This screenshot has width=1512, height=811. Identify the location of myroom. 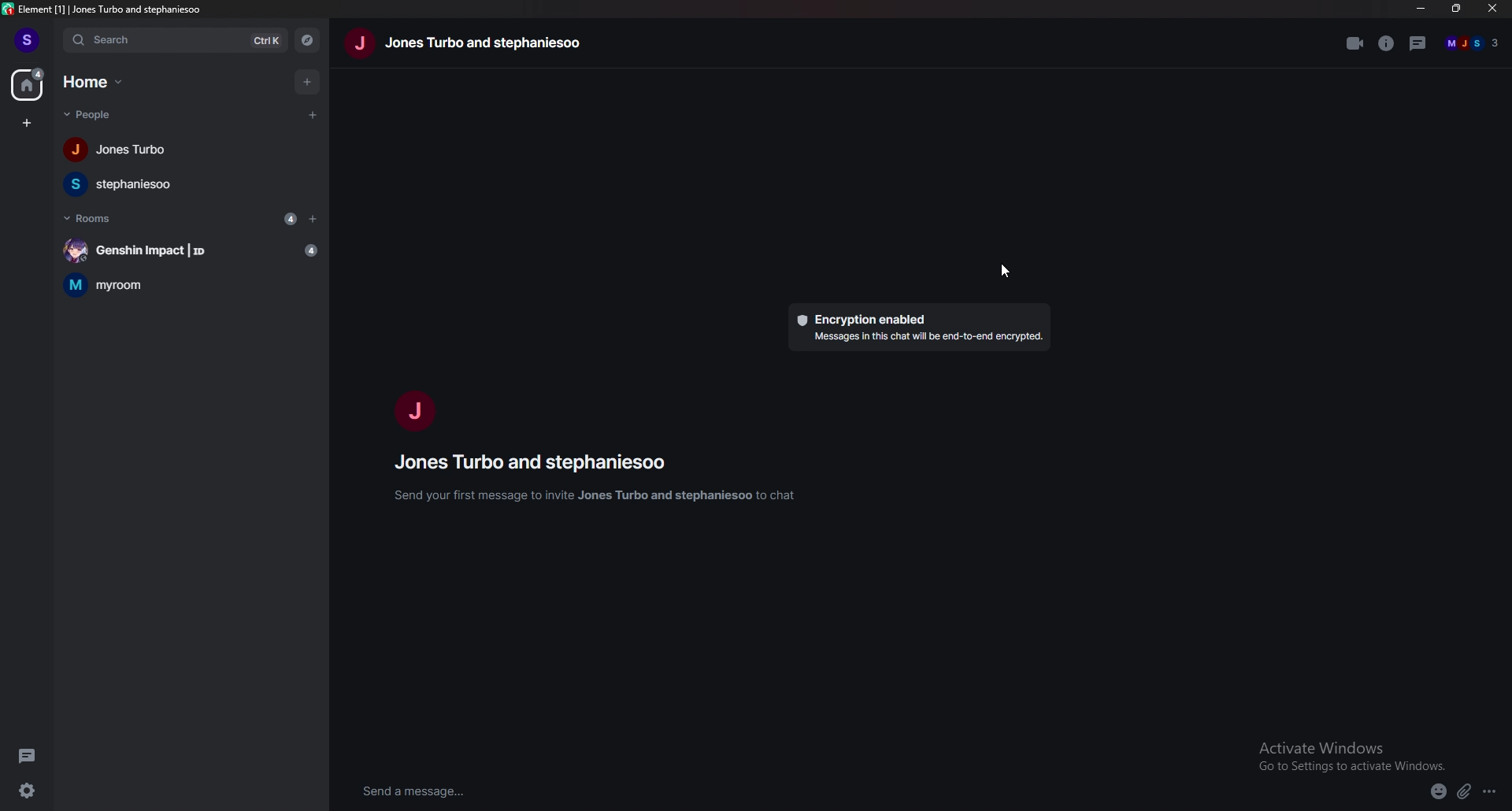
(191, 284).